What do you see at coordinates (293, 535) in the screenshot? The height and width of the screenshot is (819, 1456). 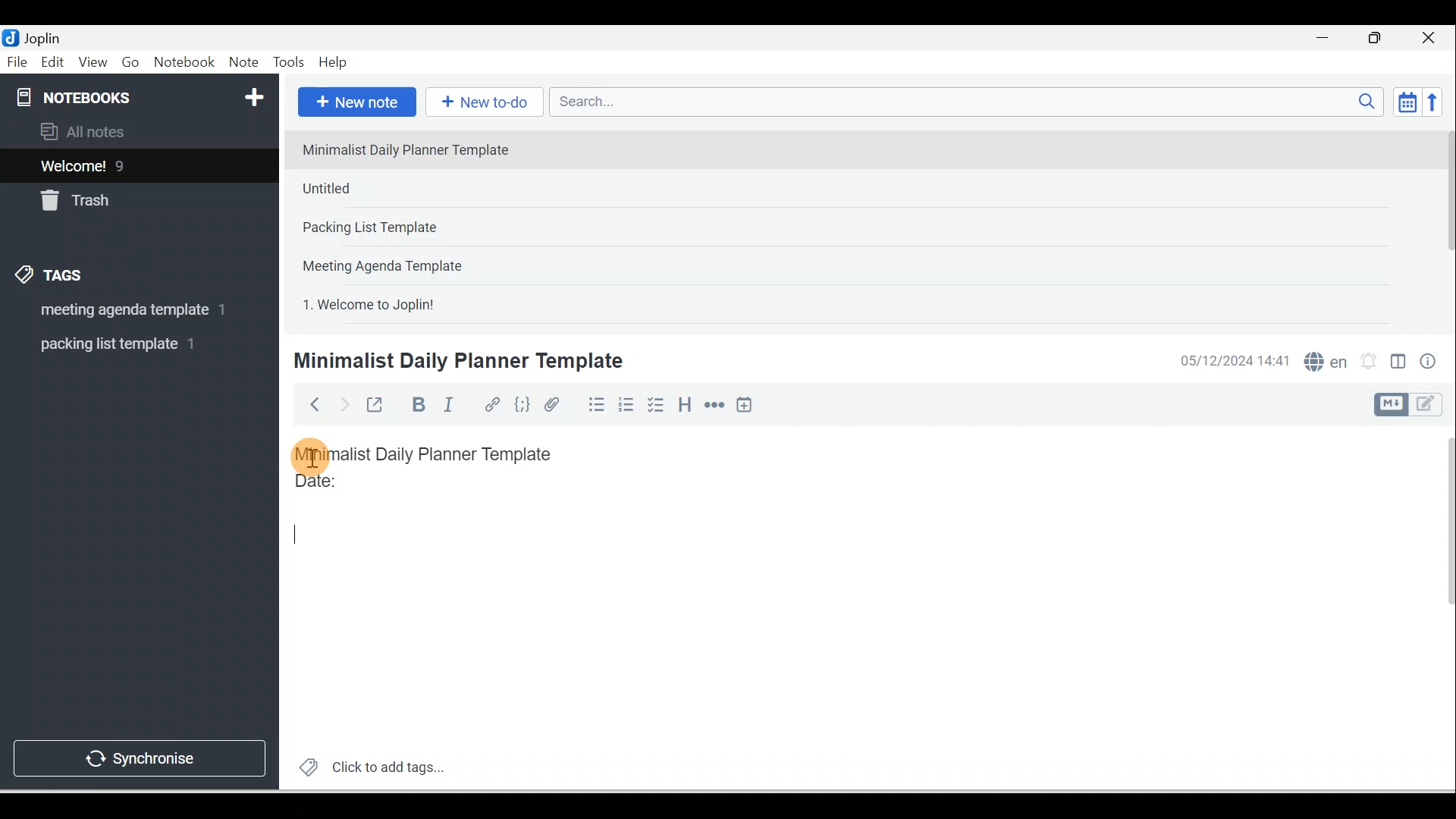 I see `Cursor` at bounding box center [293, 535].